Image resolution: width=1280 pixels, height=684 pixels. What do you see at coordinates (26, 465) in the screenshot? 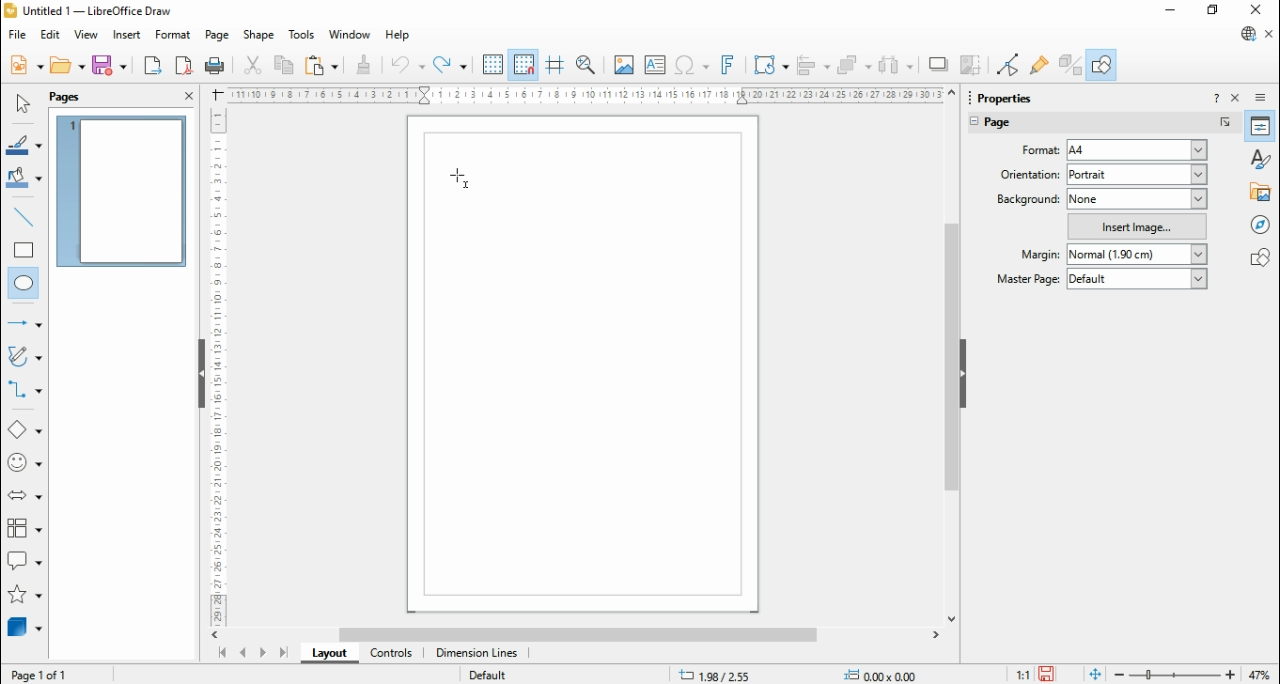
I see `symbol shapes` at bounding box center [26, 465].